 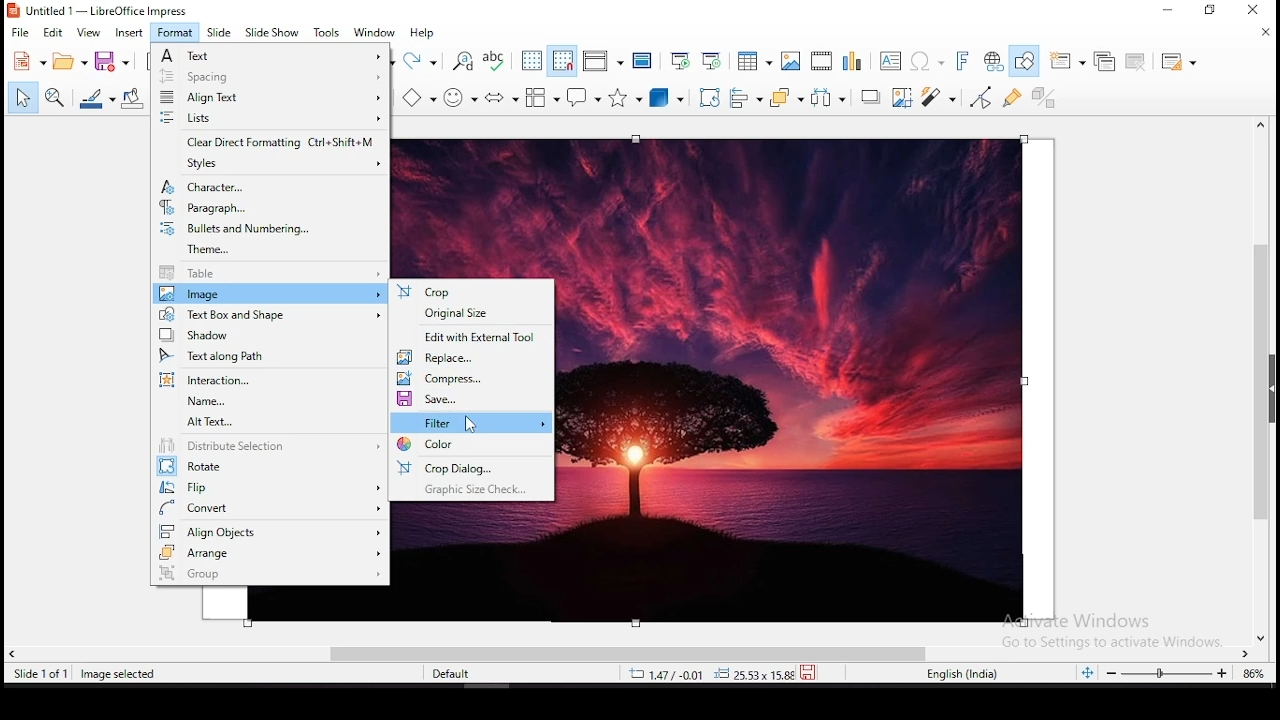 I want to click on restore, so click(x=1212, y=12).